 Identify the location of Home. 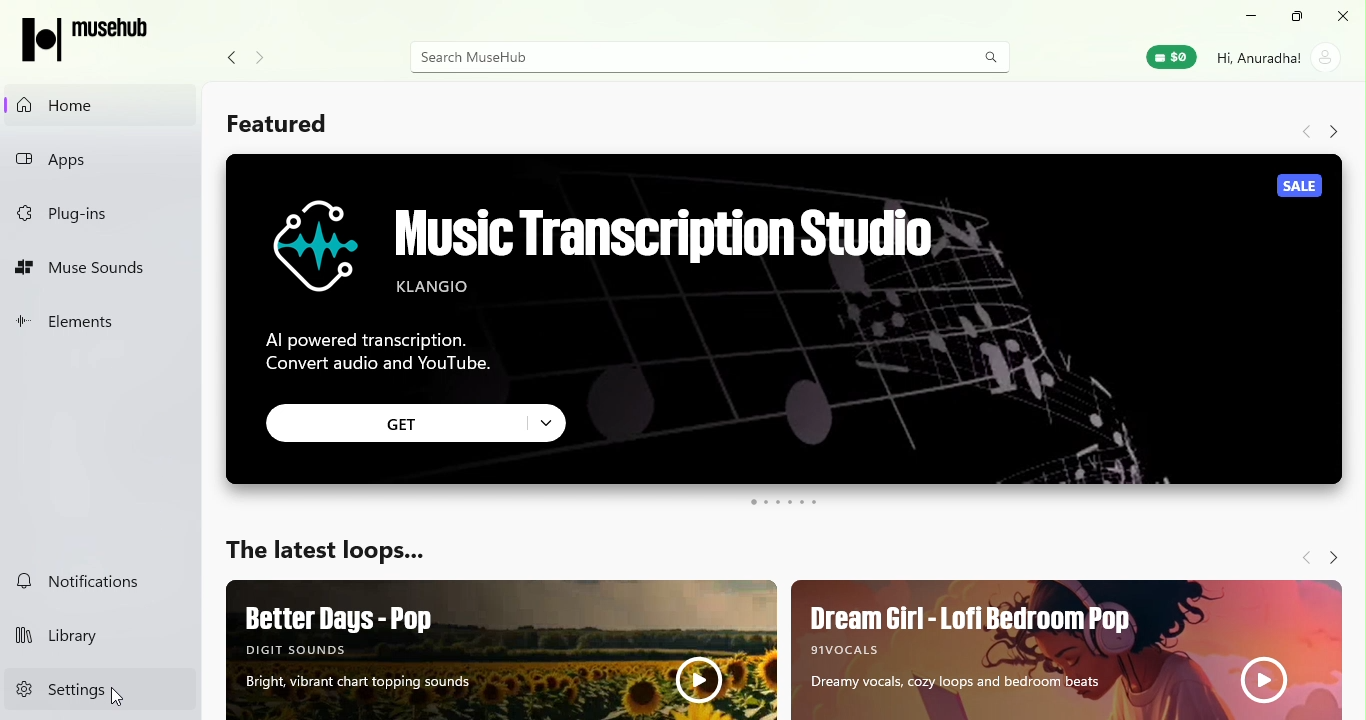
(100, 105).